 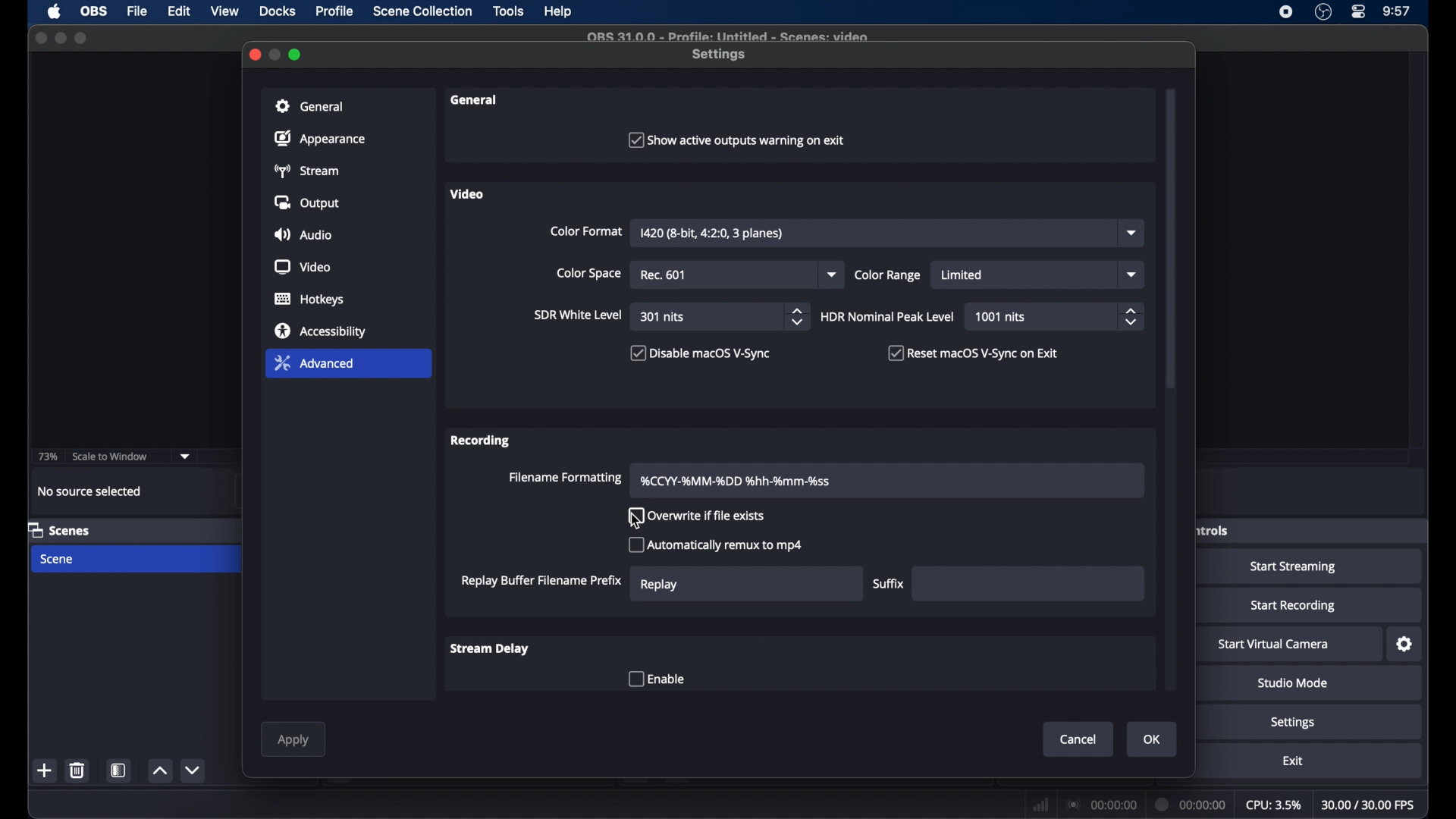 I want to click on add, so click(x=46, y=770).